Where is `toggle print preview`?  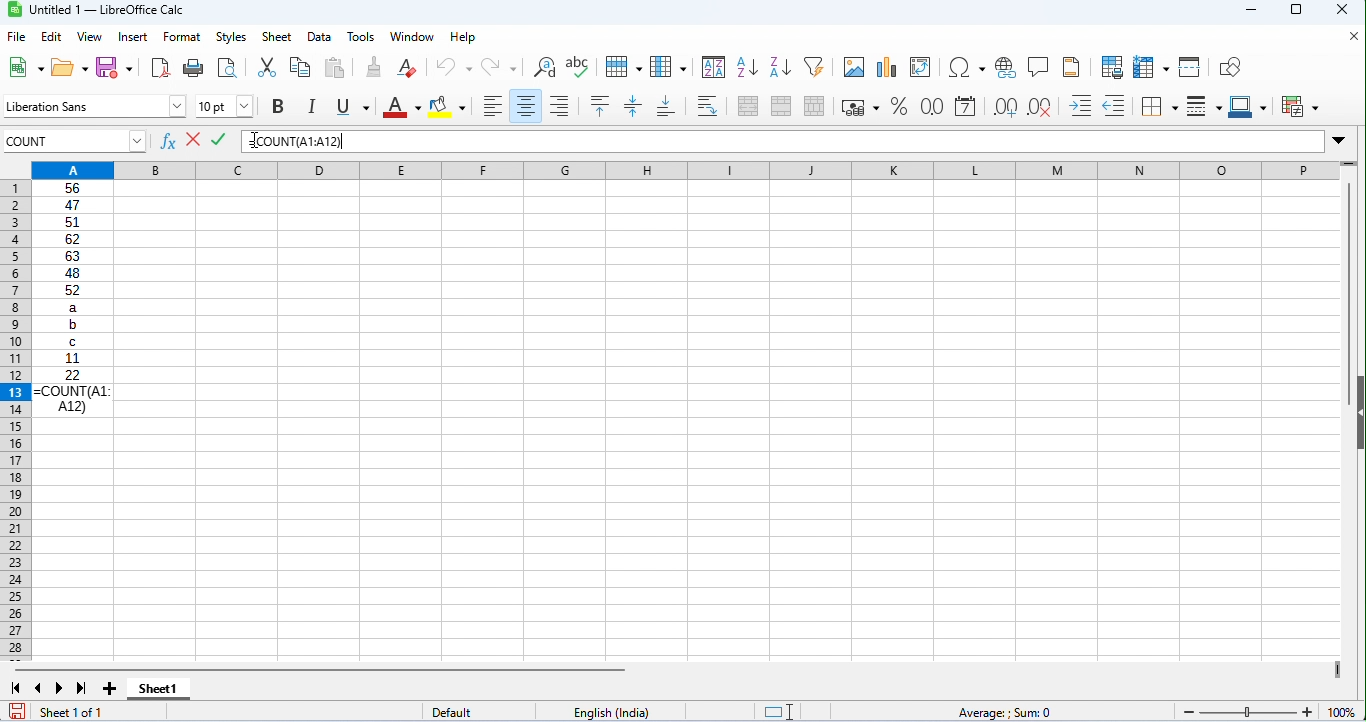 toggle print preview is located at coordinates (227, 67).